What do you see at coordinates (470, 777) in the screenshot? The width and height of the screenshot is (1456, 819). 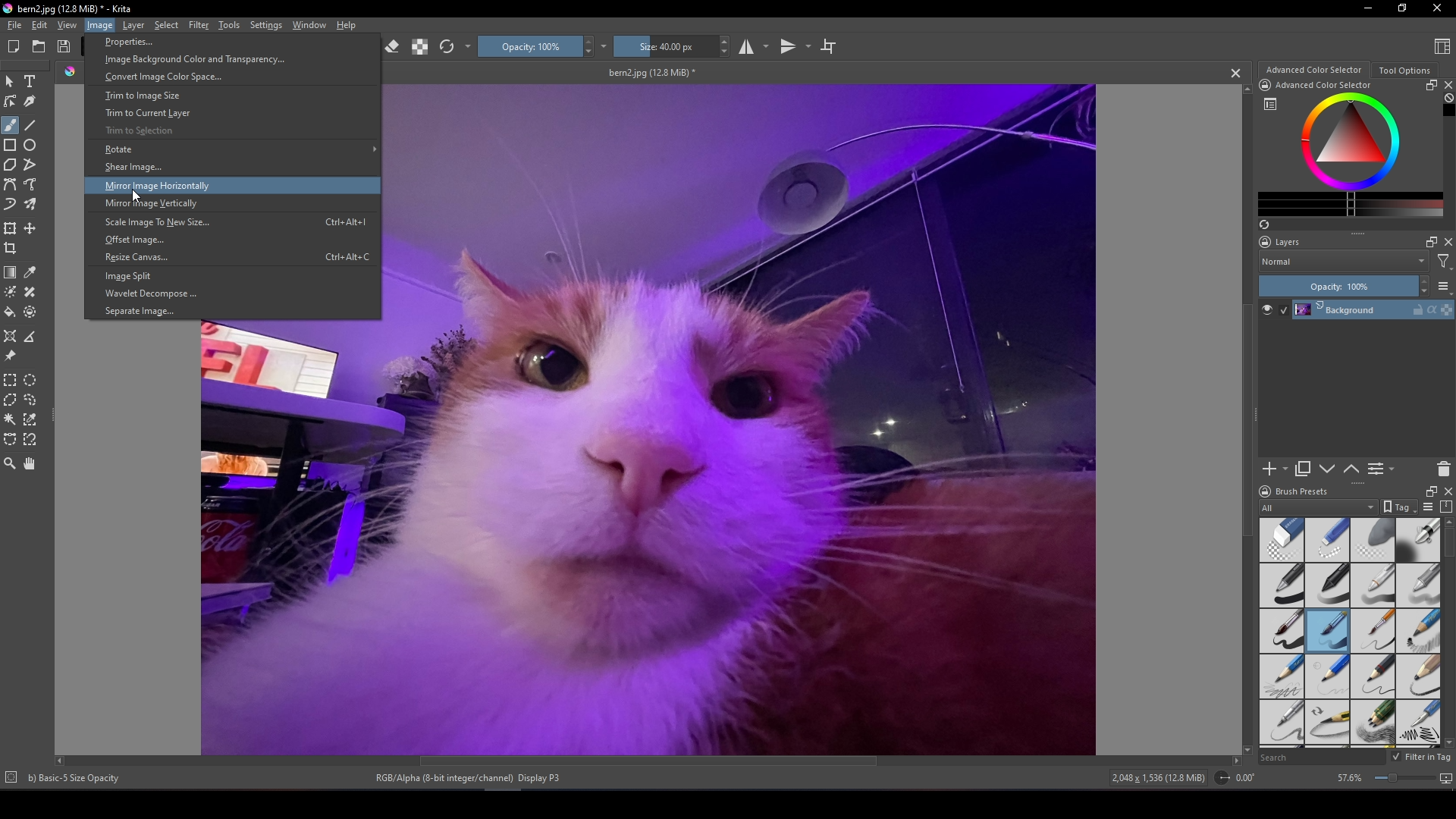 I see `RGB/Alpha (8-bit integer/channel), display P3` at bounding box center [470, 777].